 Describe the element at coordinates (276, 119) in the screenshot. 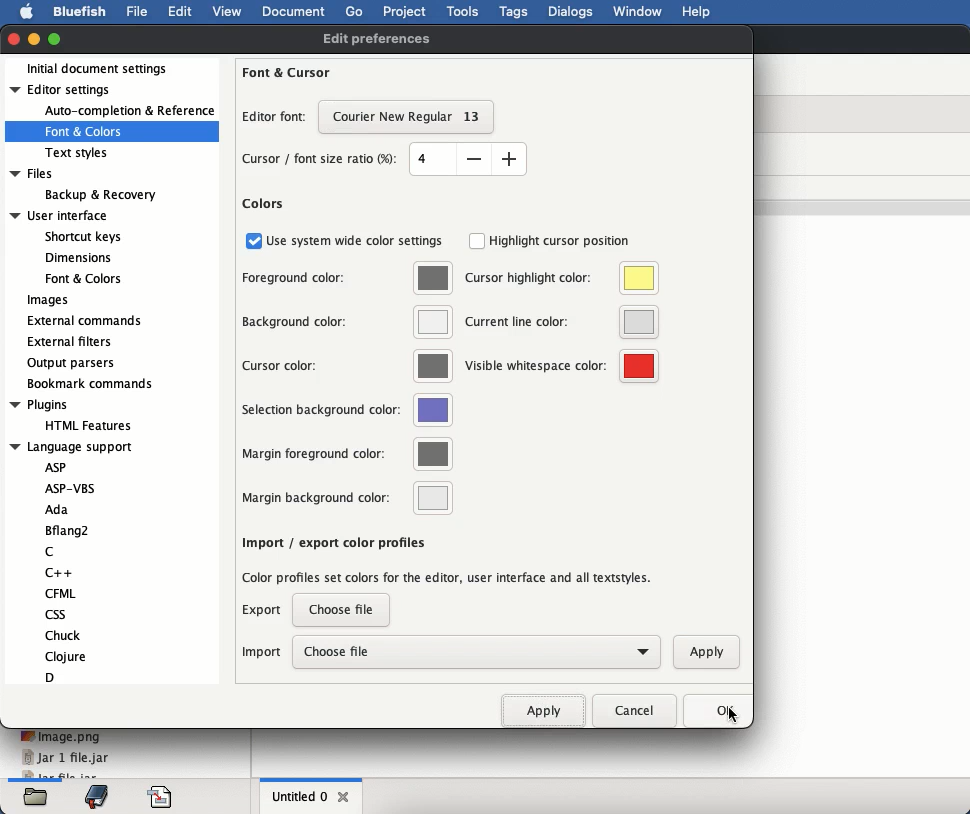

I see `editor font` at that location.